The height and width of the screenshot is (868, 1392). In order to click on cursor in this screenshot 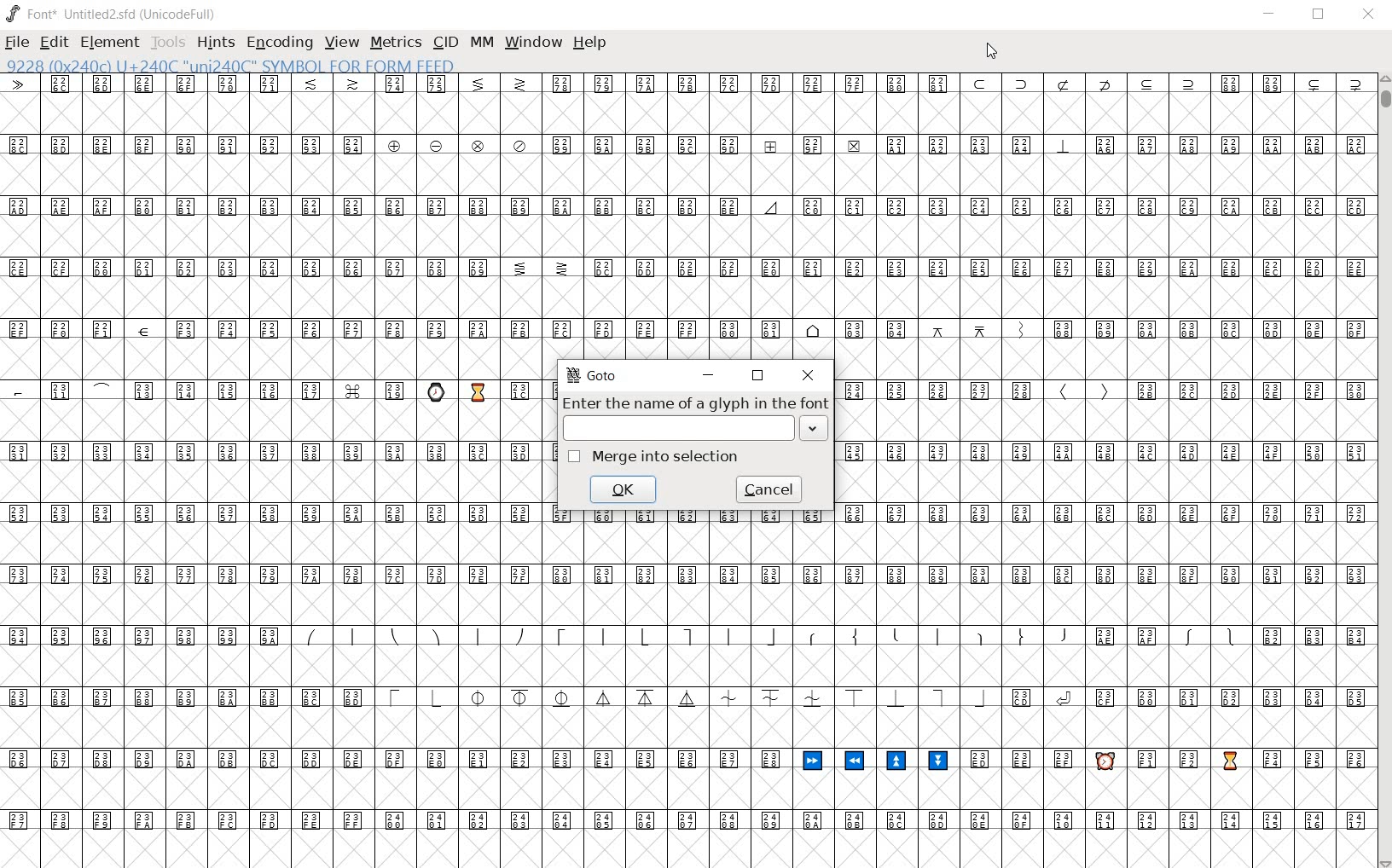, I will do `click(991, 54)`.